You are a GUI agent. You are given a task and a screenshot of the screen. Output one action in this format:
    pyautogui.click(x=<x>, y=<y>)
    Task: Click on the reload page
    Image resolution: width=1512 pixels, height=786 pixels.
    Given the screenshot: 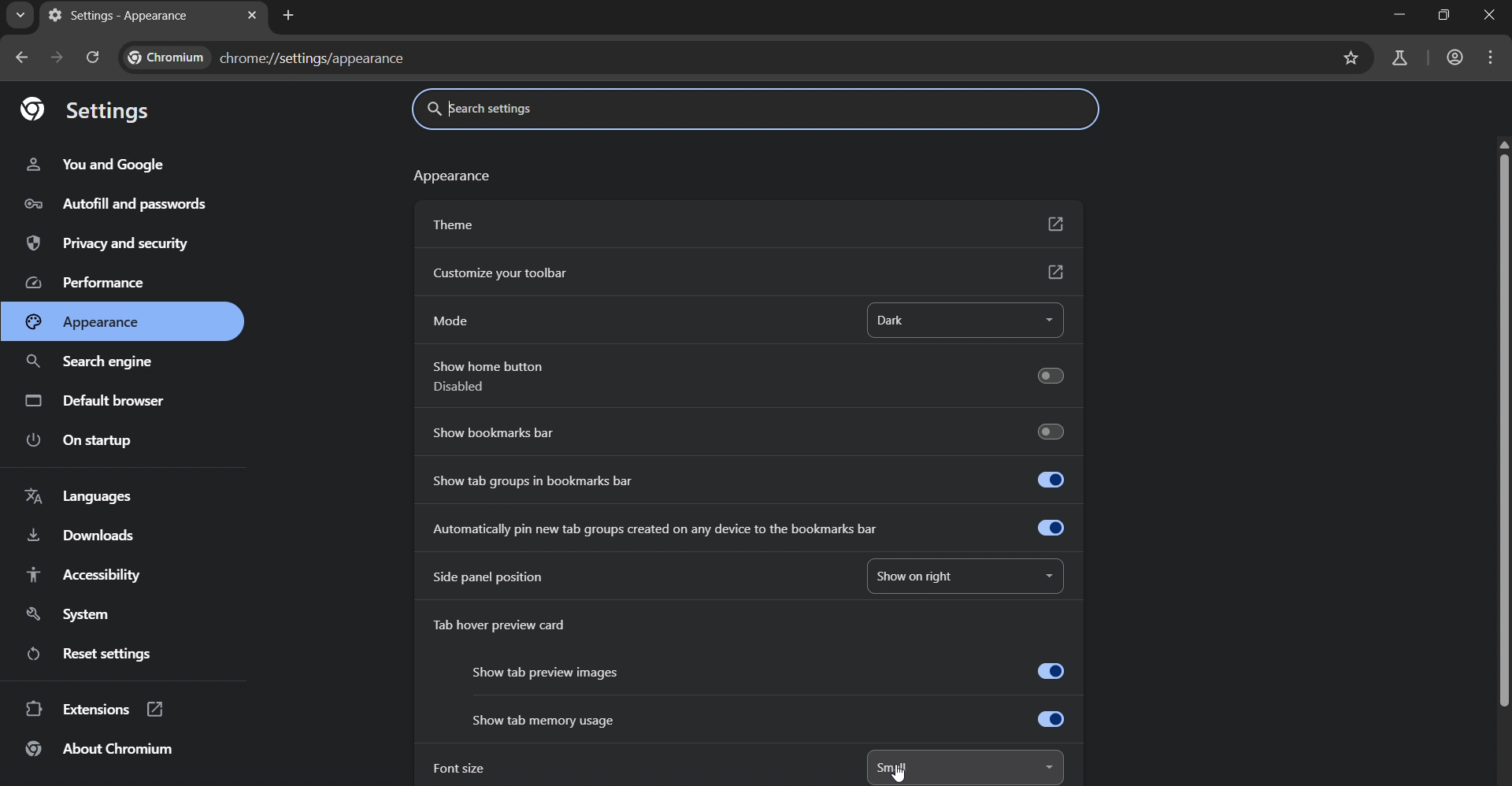 What is the action you would take?
    pyautogui.click(x=91, y=54)
    